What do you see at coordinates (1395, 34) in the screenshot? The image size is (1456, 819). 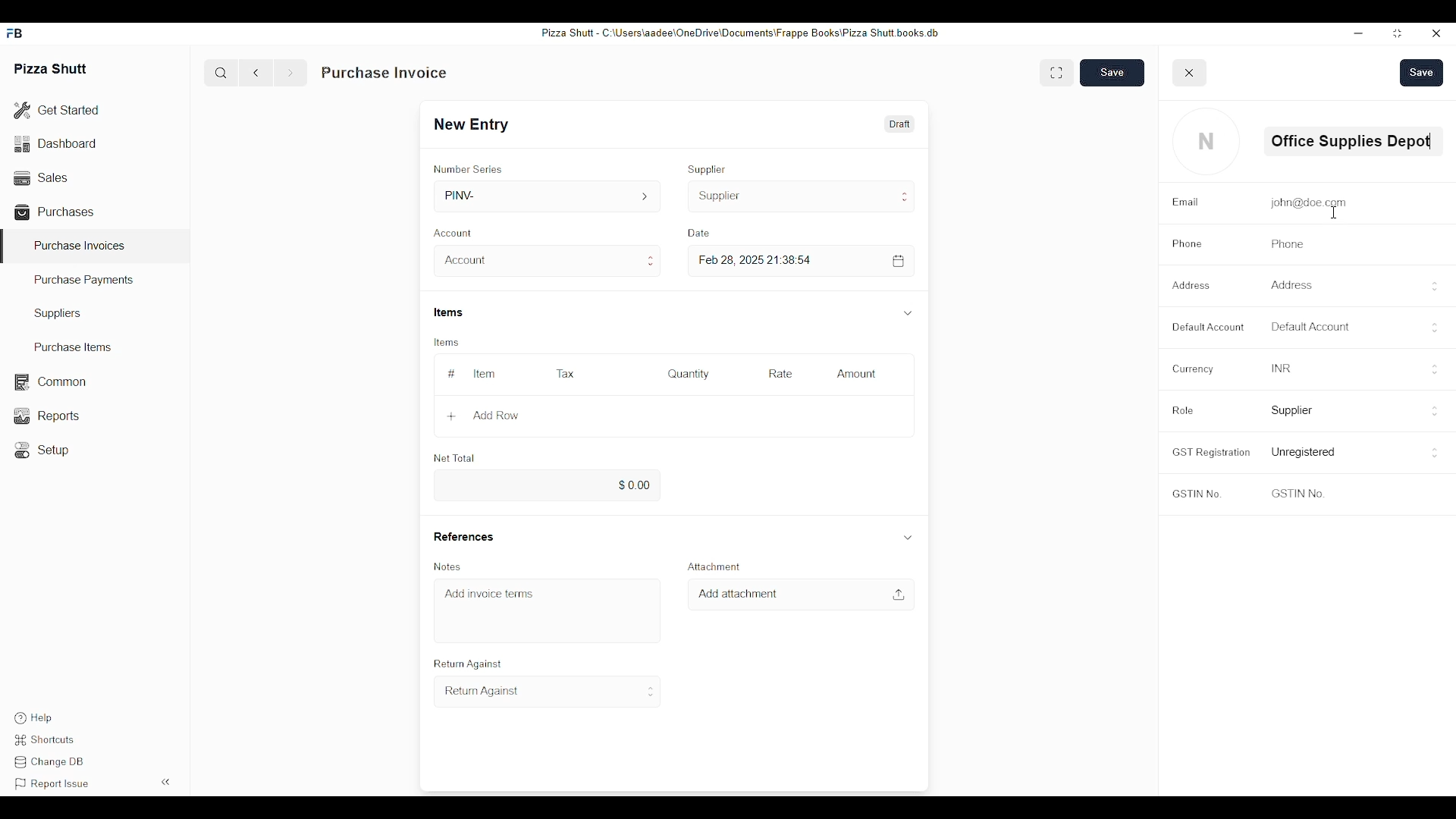 I see `resize` at bounding box center [1395, 34].